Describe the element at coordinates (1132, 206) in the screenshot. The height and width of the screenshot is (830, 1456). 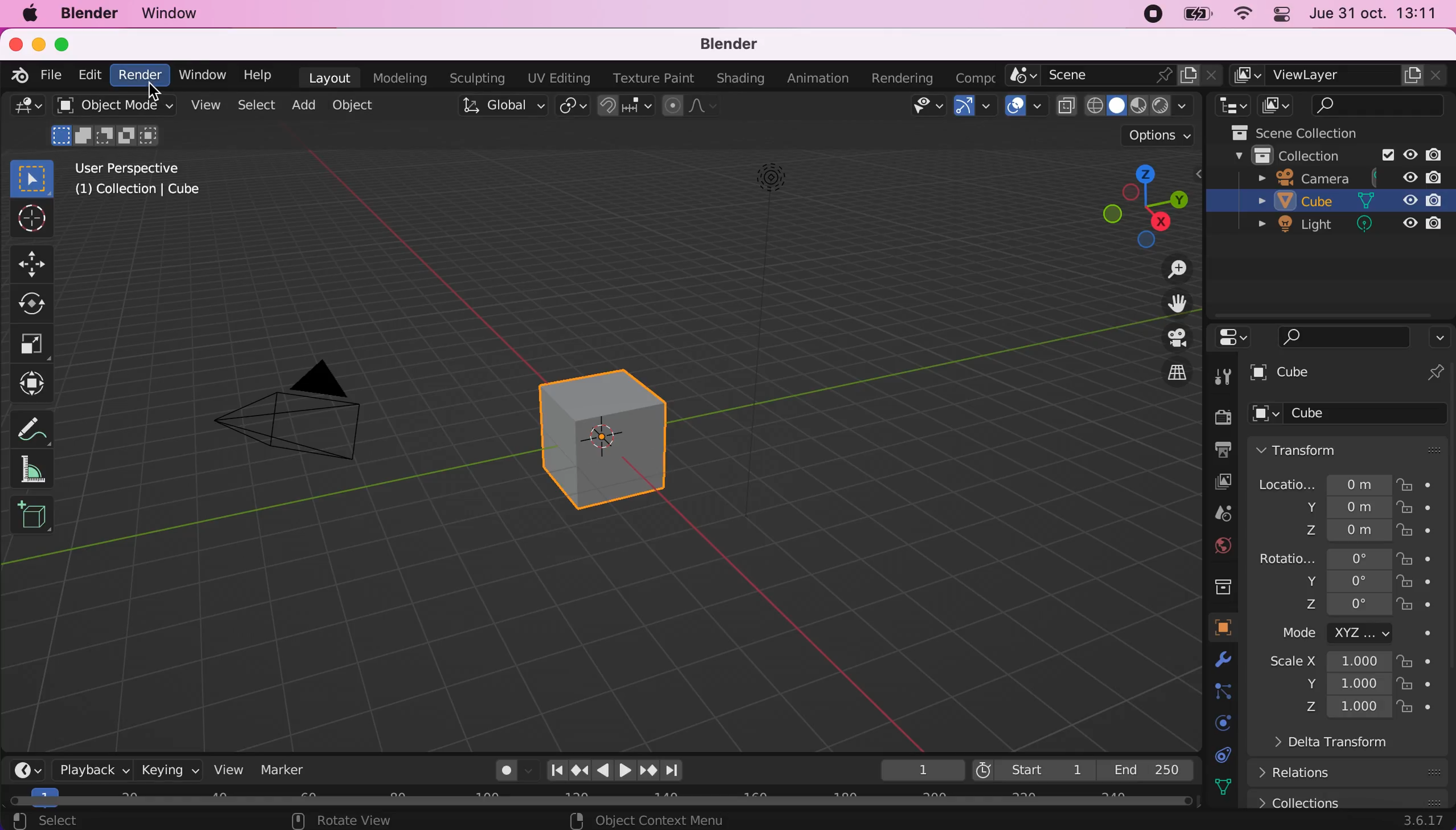
I see `click shortcut drag` at that location.